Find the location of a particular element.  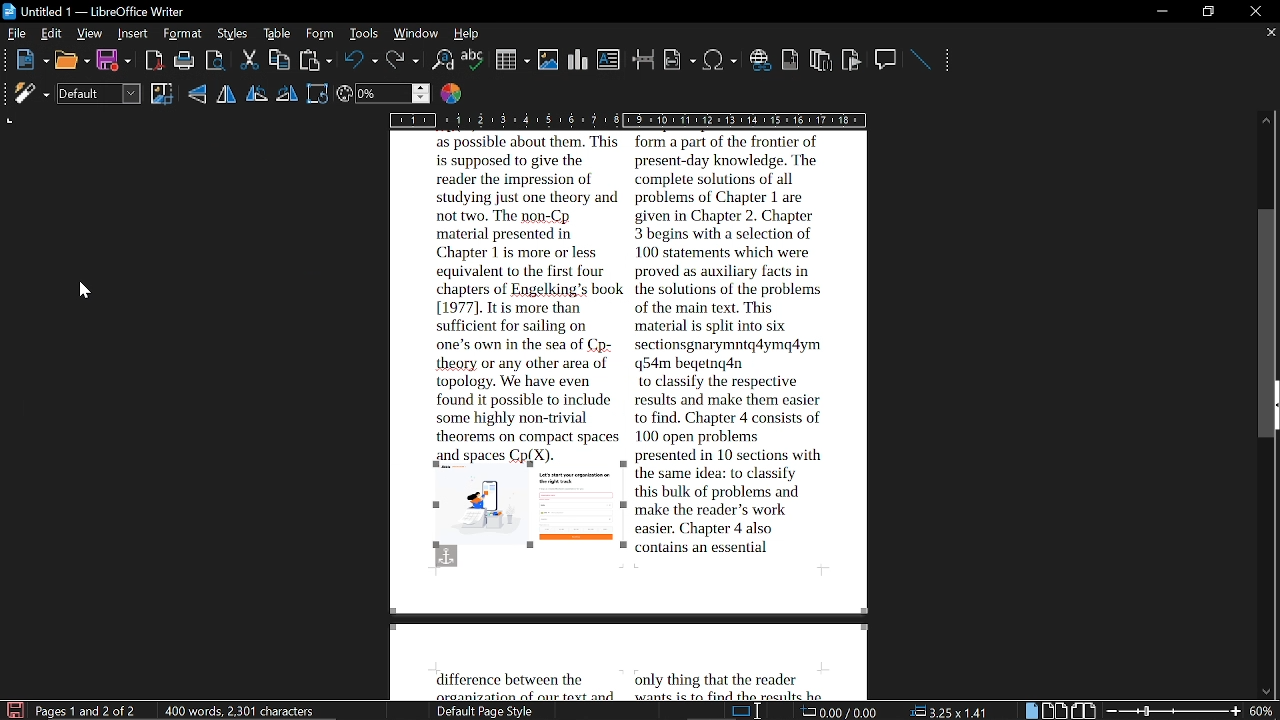

rotate 90degree right is located at coordinates (288, 93).